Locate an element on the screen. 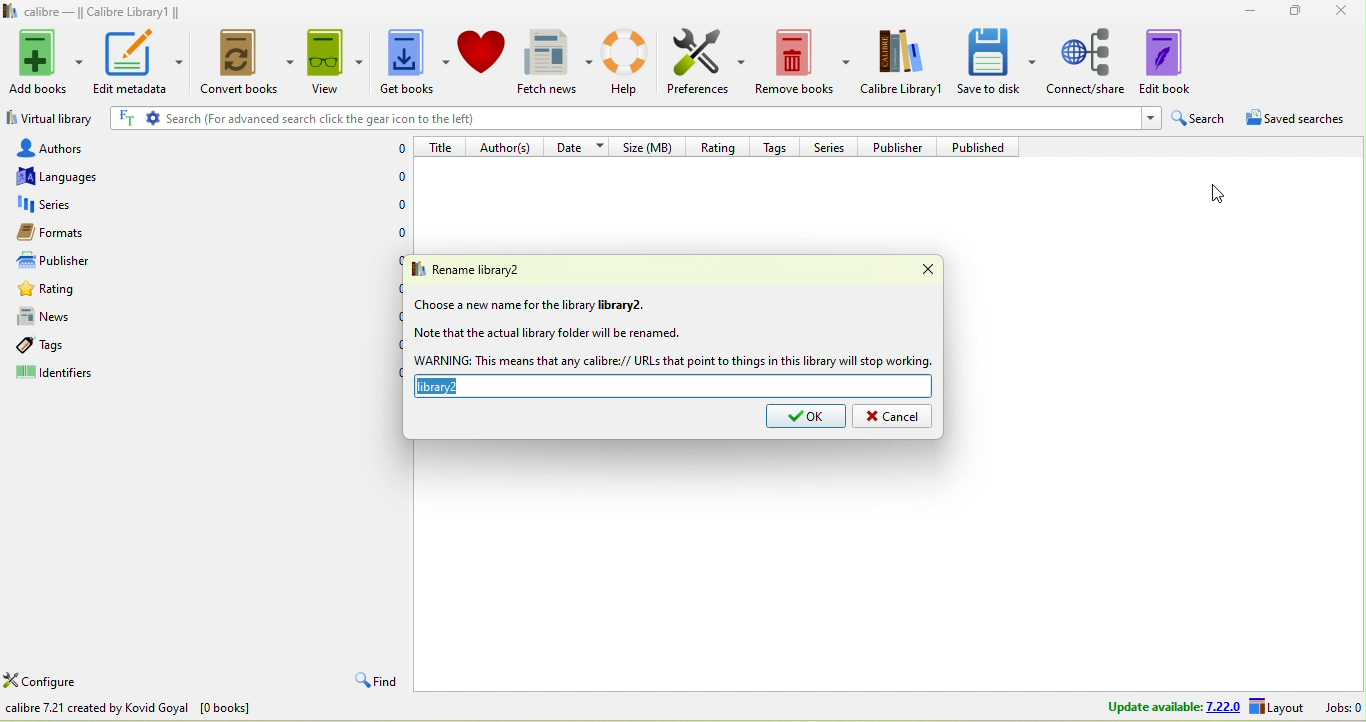 This screenshot has width=1366, height=722. choose calibre library to work with calibrery library 1 [0 books] is located at coordinates (197, 710).